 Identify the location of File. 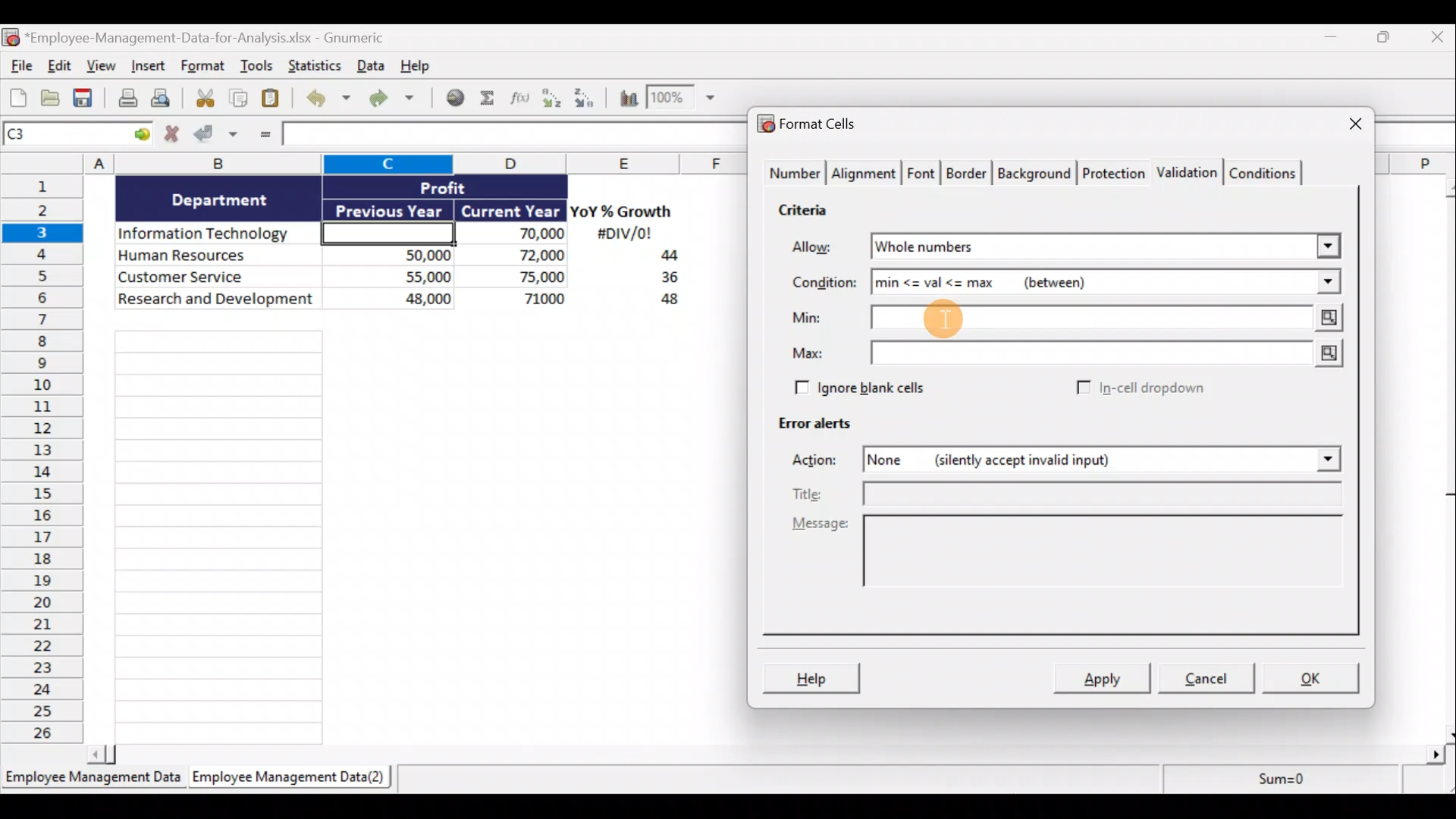
(18, 67).